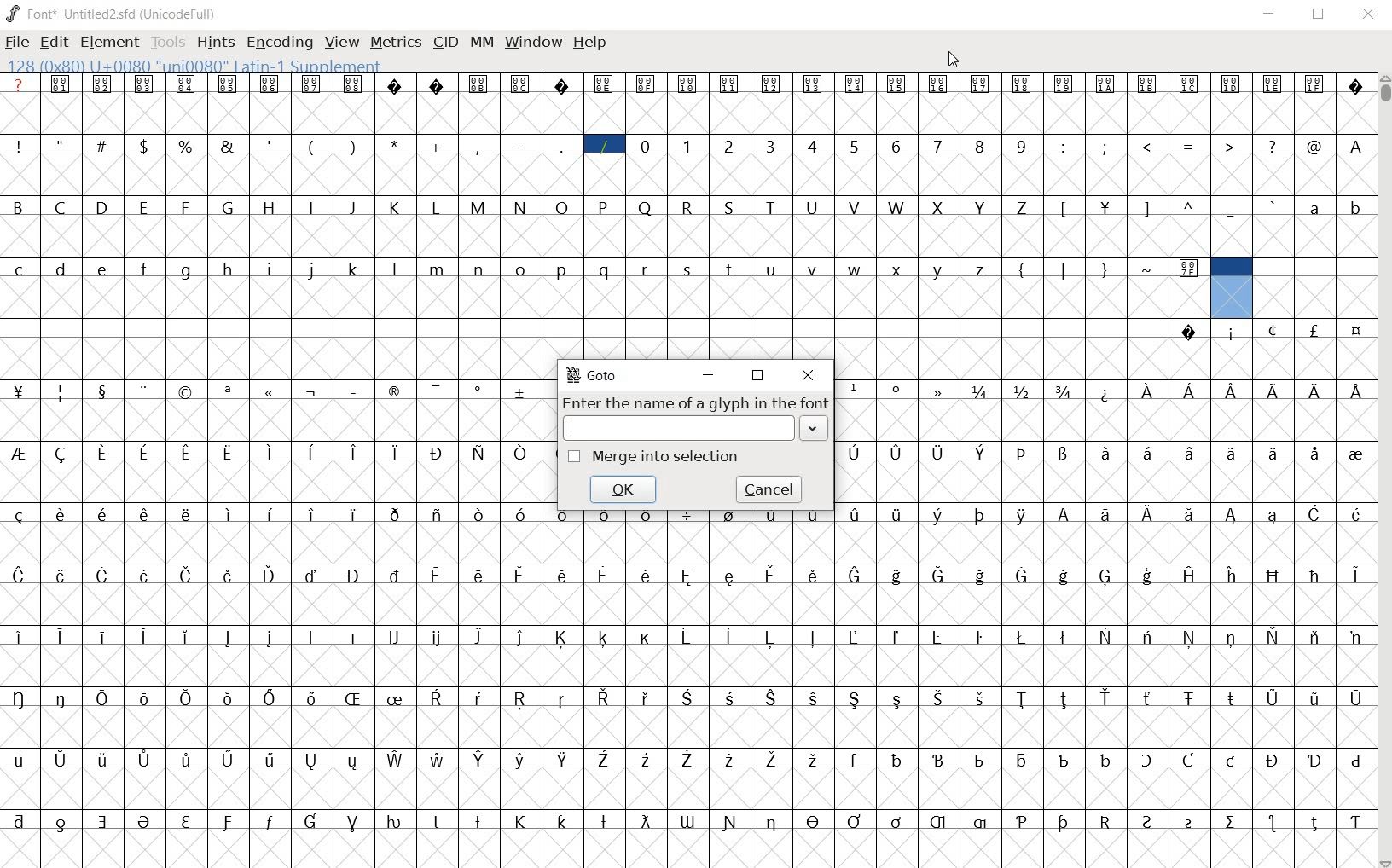 The width and height of the screenshot is (1392, 868). What do you see at coordinates (1271, 697) in the screenshot?
I see `` at bounding box center [1271, 697].